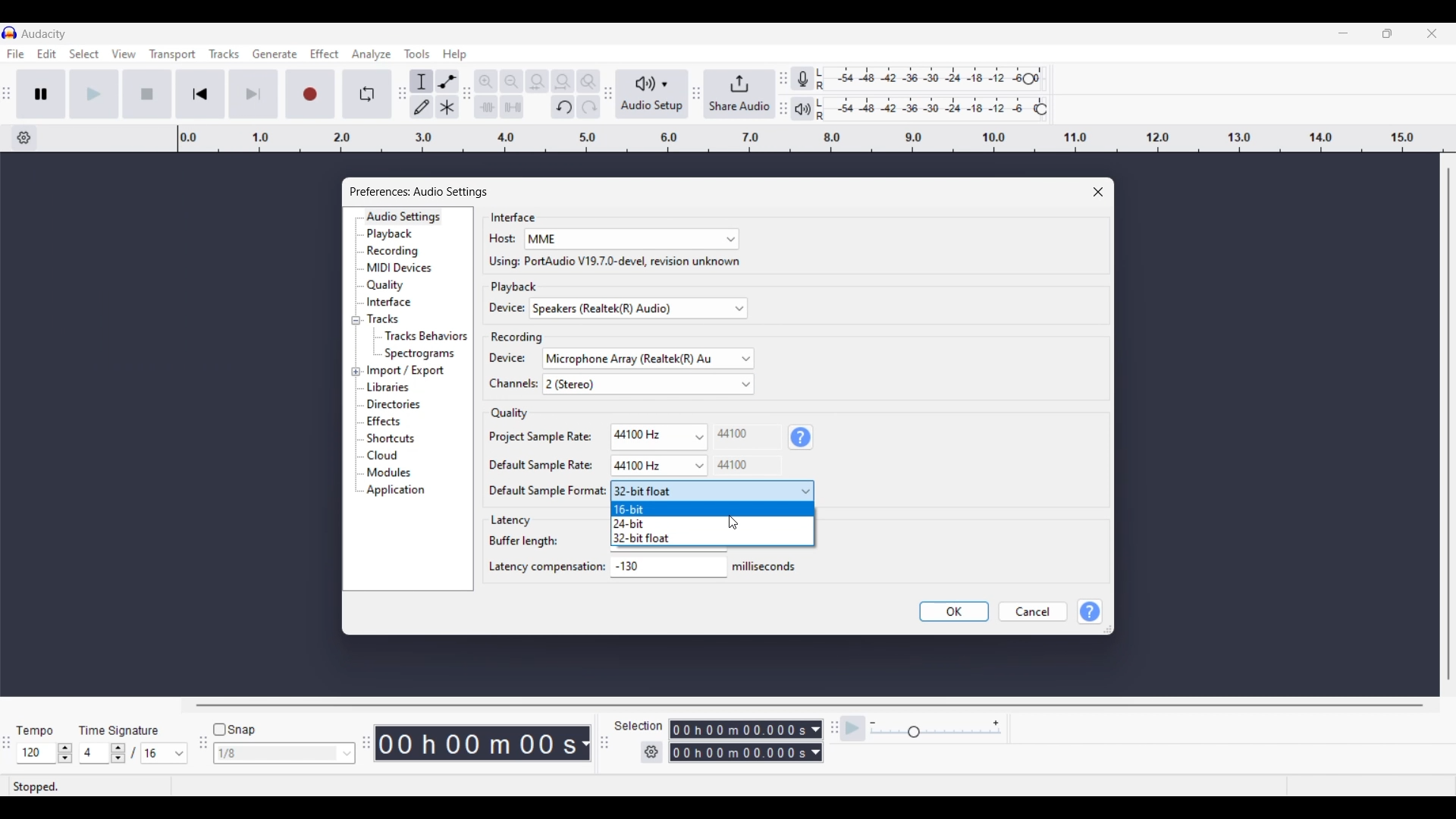 Image resolution: width=1456 pixels, height=819 pixels. I want to click on Record meter, so click(809, 79).